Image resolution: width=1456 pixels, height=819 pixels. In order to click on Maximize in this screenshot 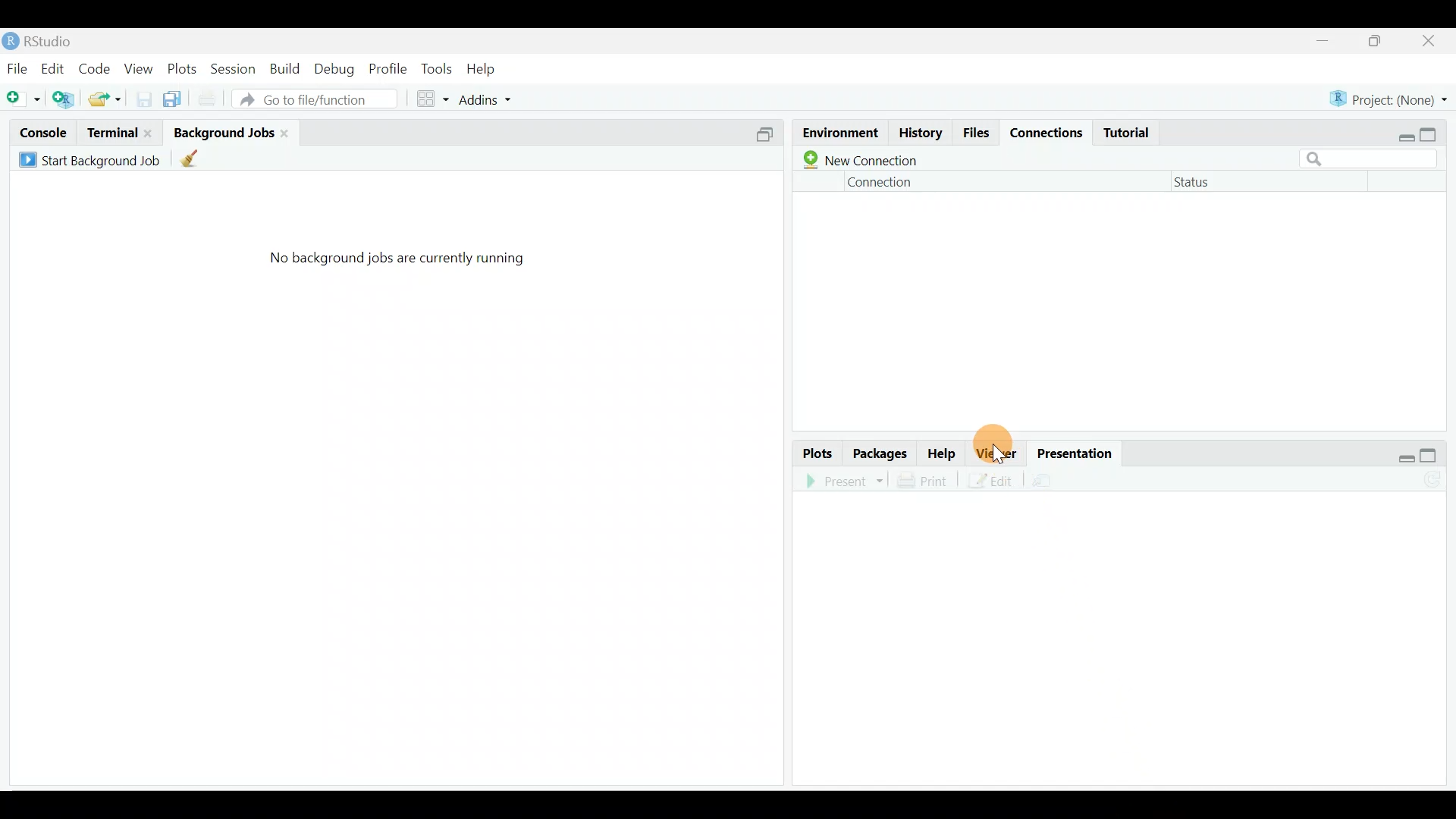, I will do `click(1439, 135)`.